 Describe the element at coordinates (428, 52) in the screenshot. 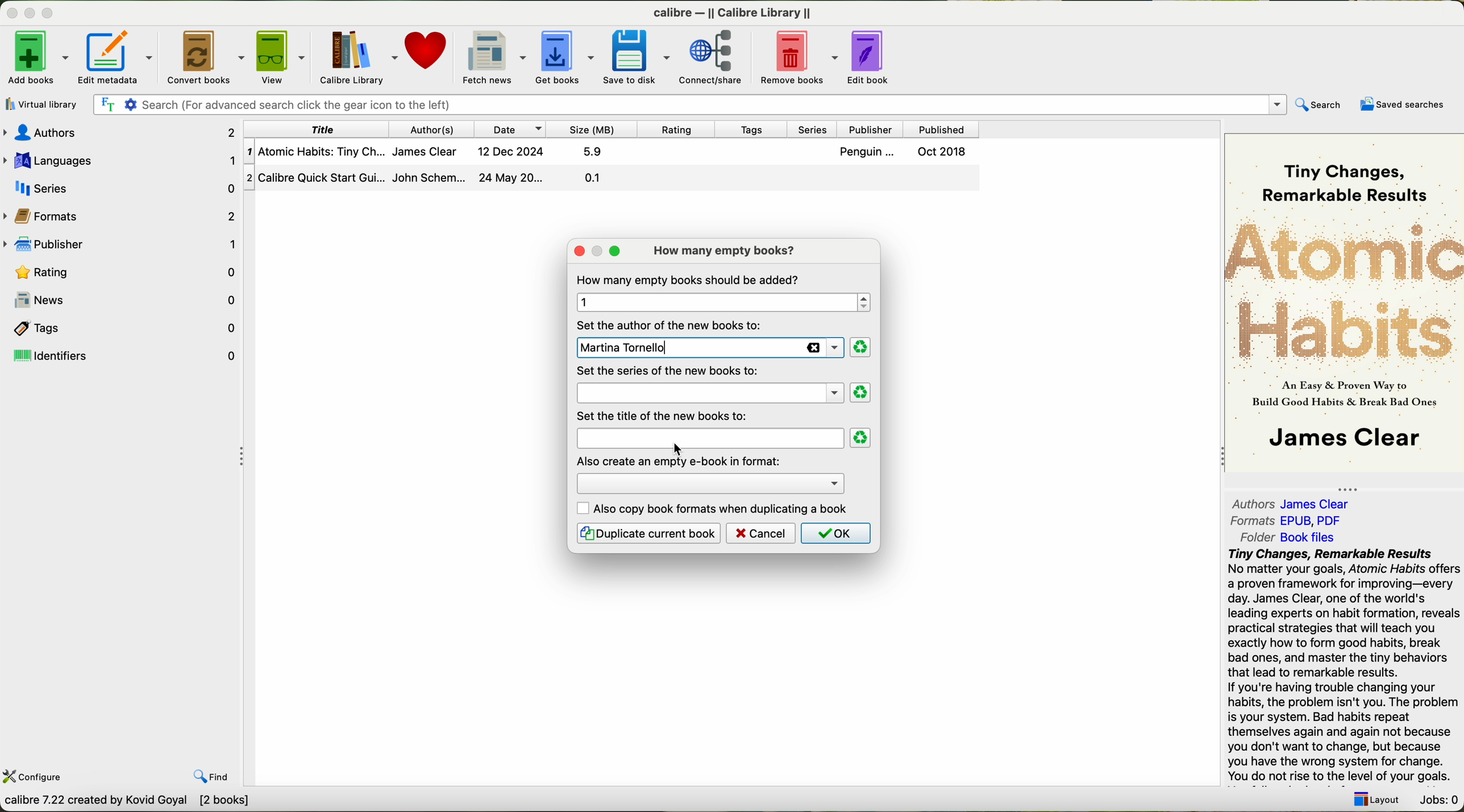

I see `donate` at that location.